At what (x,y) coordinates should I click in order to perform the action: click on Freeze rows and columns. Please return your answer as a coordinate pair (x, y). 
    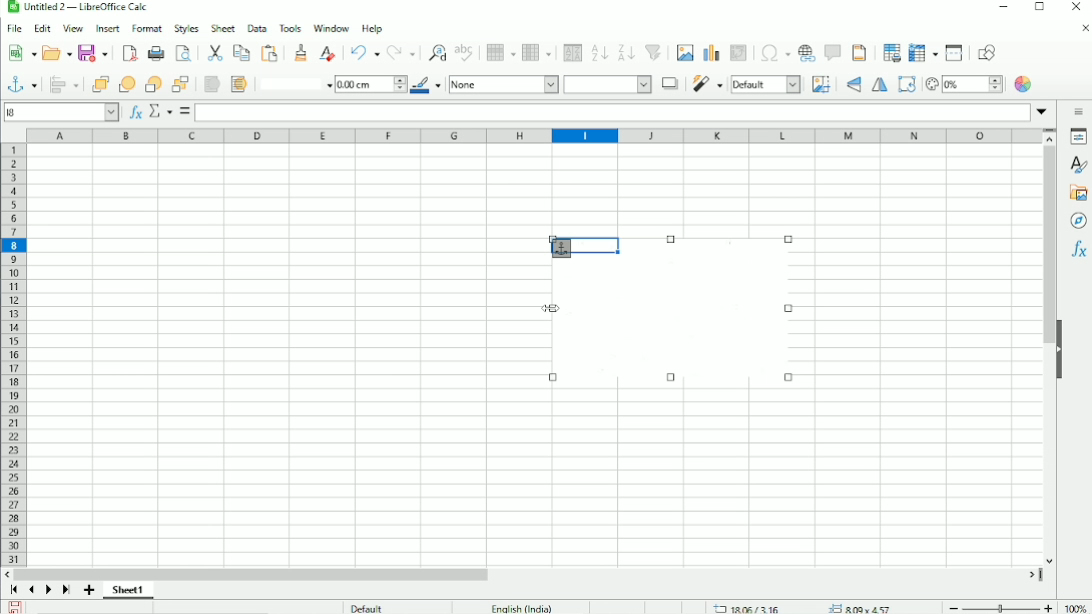
    Looking at the image, I should click on (921, 53).